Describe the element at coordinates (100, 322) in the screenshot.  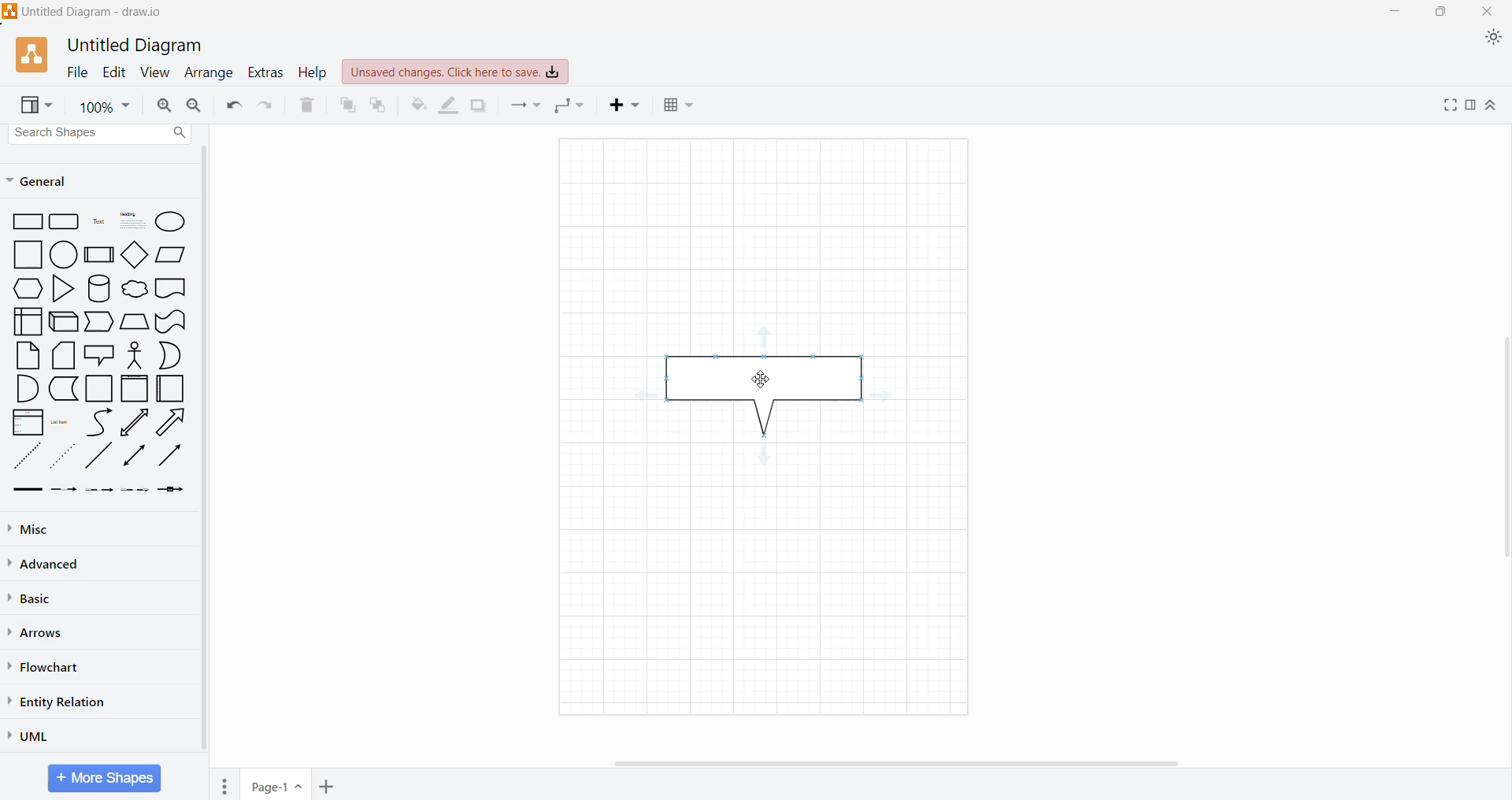
I see `Trapezoid ` at that location.